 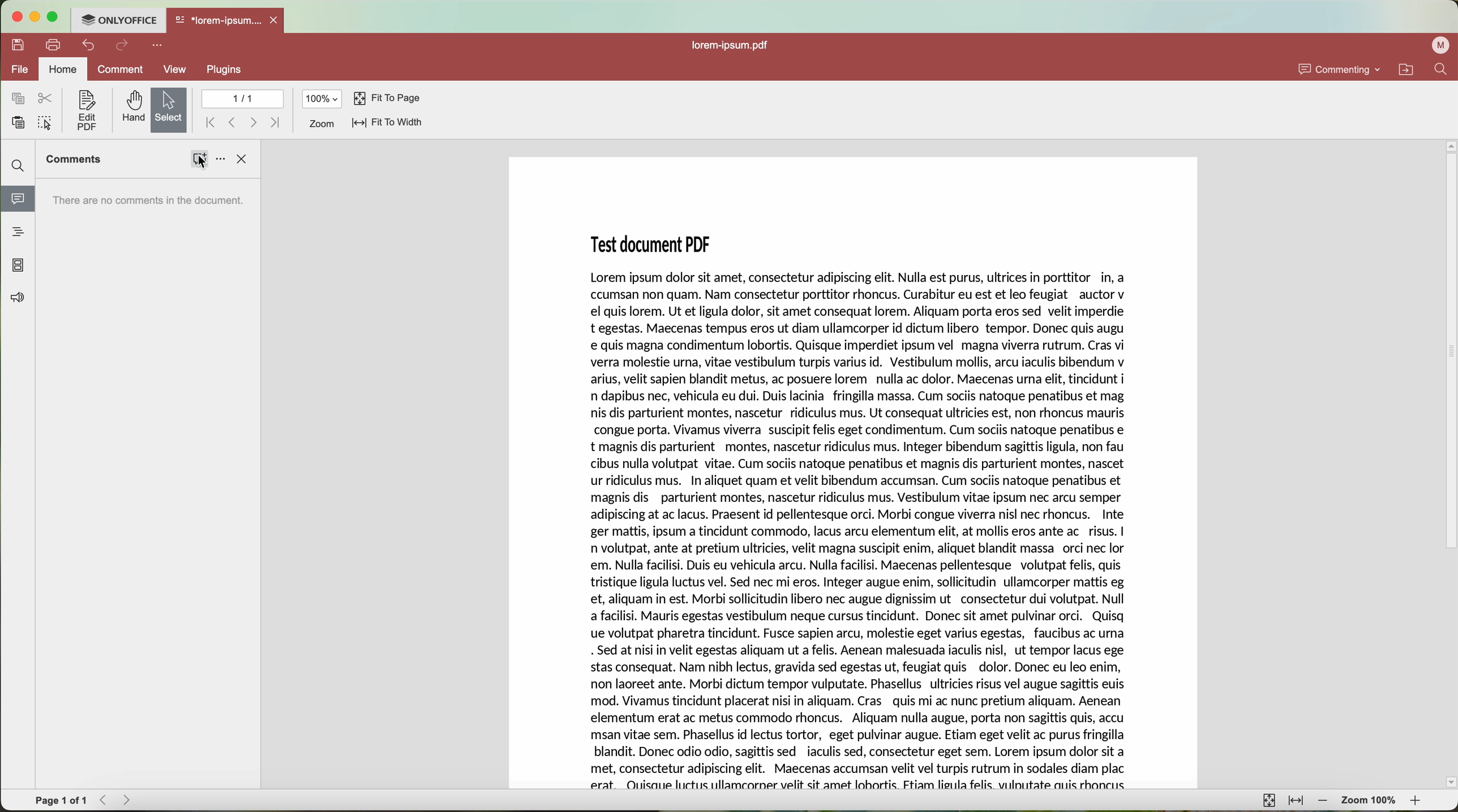 I want to click on fit to width, so click(x=387, y=124).